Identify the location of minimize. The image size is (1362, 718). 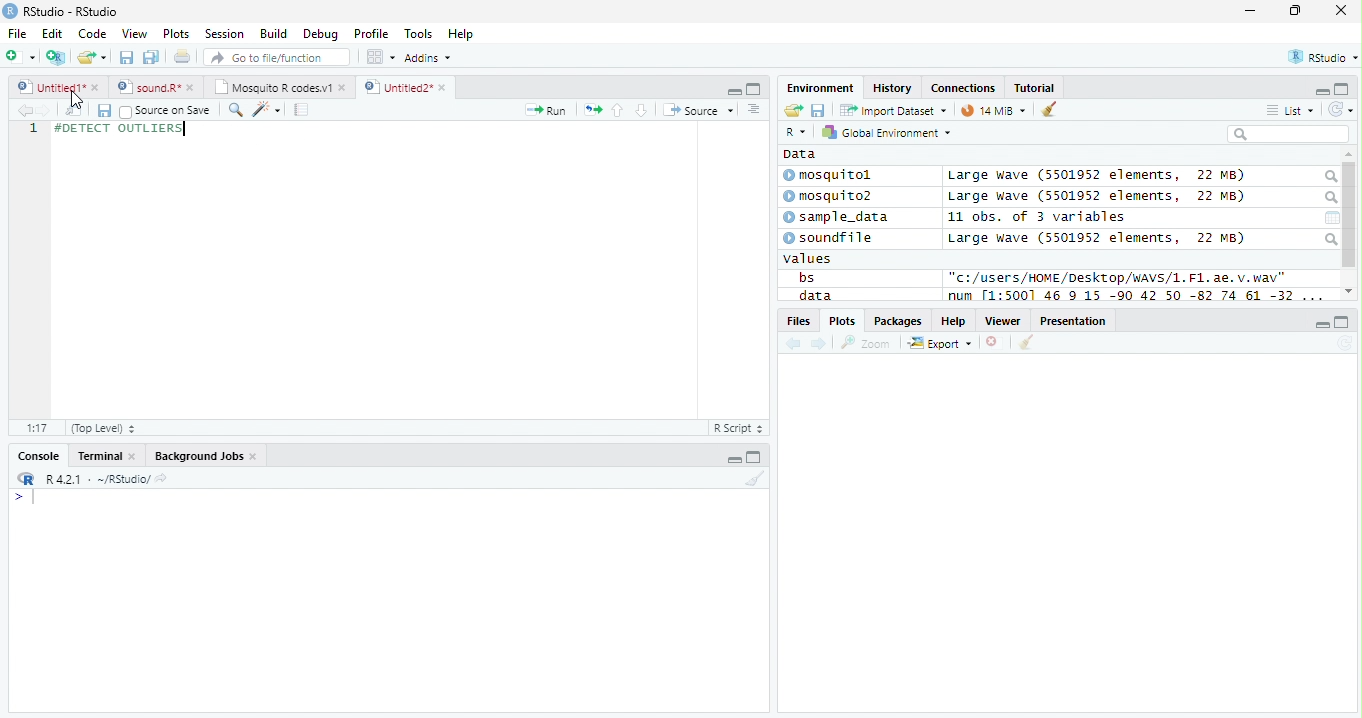
(734, 90).